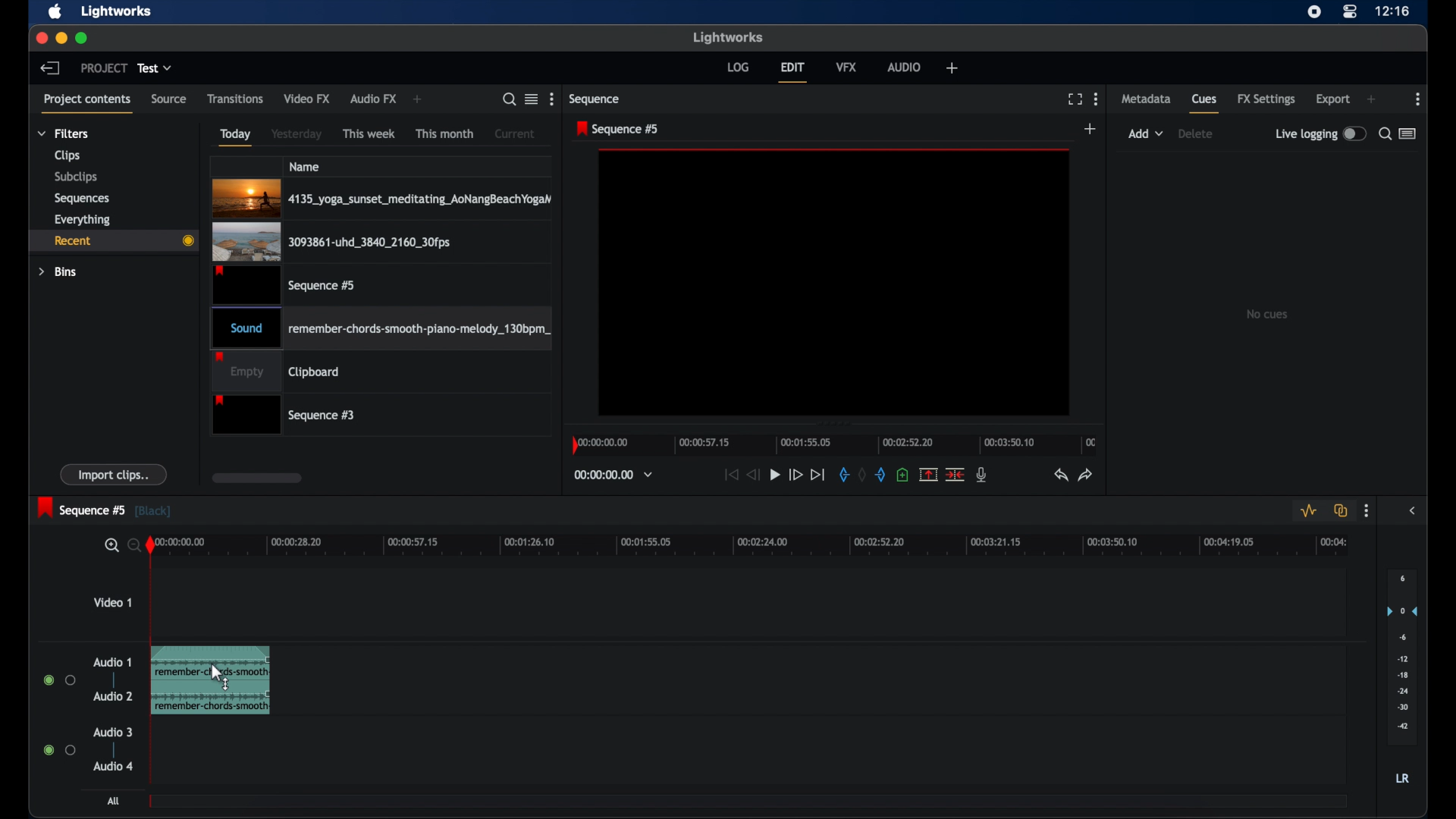  I want to click on live logging, so click(1320, 134).